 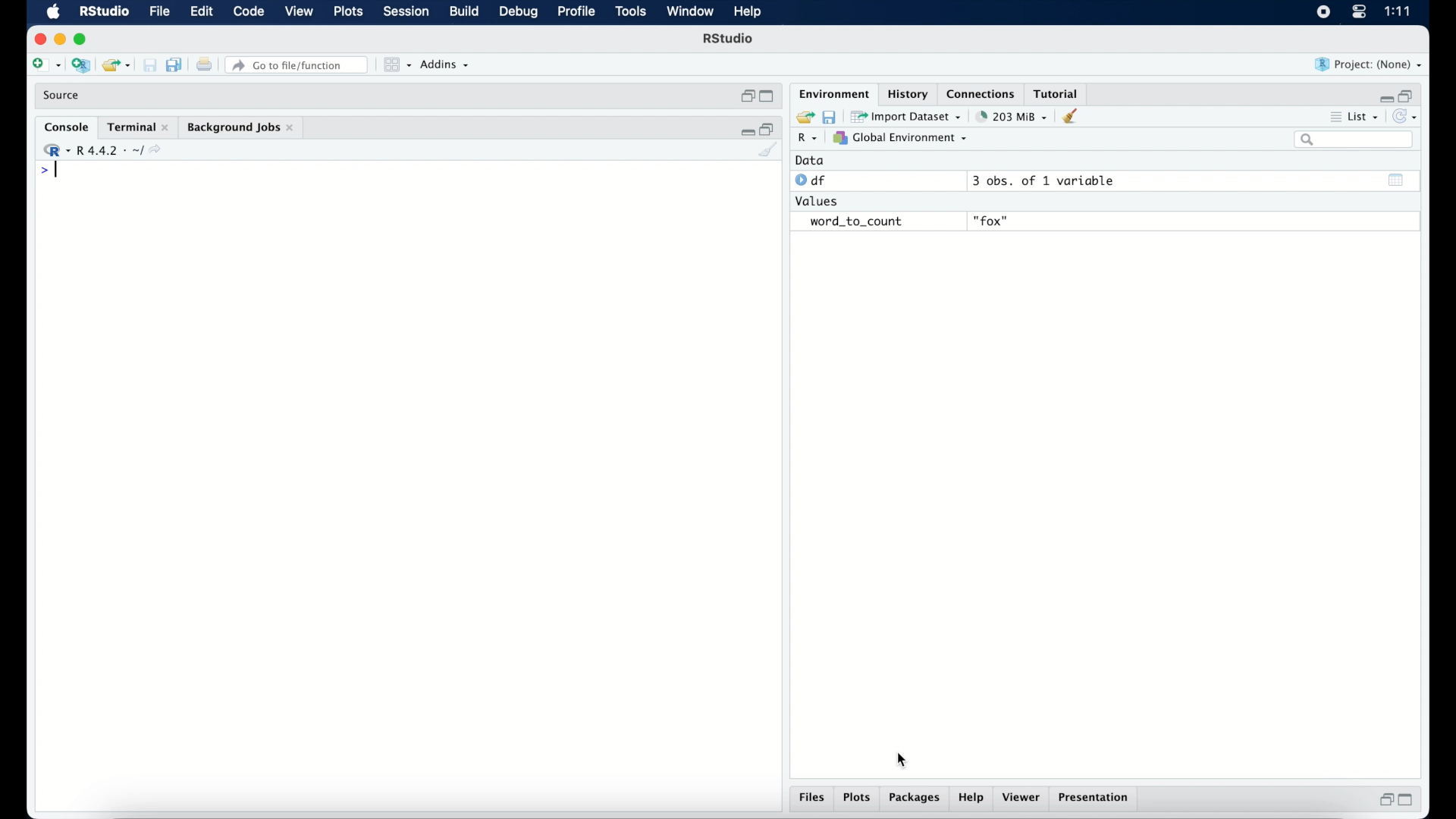 I want to click on search bar, so click(x=1356, y=140).